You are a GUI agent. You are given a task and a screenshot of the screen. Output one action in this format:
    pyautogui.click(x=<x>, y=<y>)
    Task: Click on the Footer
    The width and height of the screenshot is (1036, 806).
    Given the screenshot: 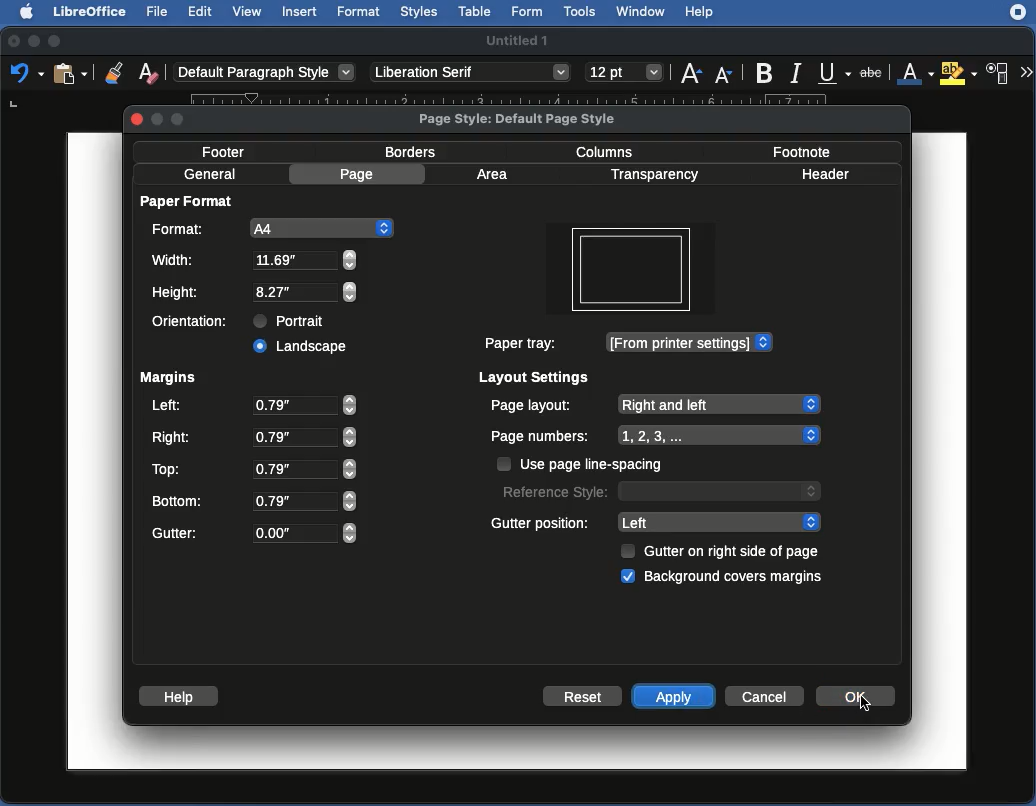 What is the action you would take?
    pyautogui.click(x=225, y=152)
    